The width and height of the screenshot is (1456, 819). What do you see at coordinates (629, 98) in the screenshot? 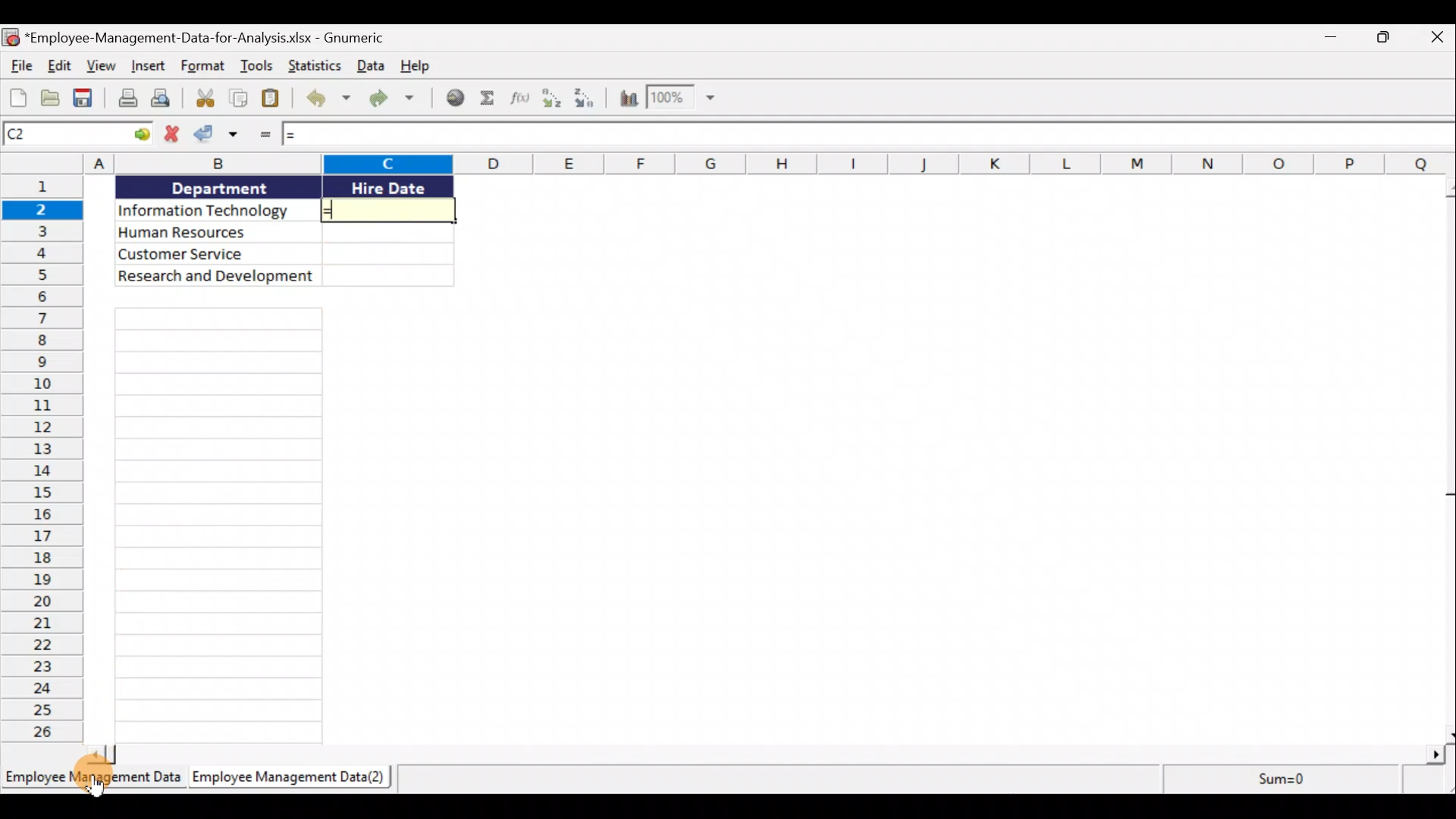
I see `Insert a chart` at bounding box center [629, 98].